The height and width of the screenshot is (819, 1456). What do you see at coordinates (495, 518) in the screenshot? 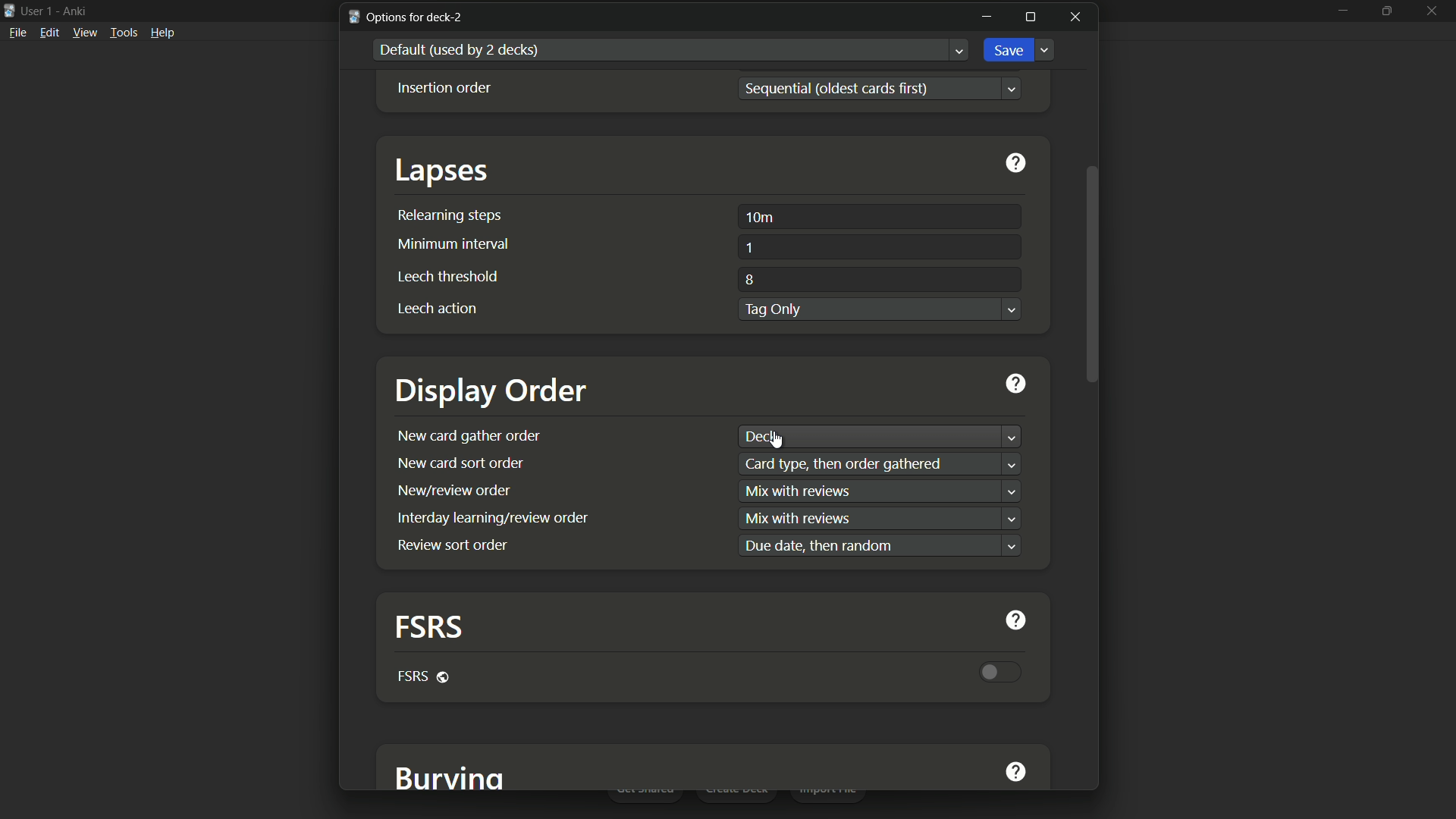
I see `interday learning/review order` at bounding box center [495, 518].